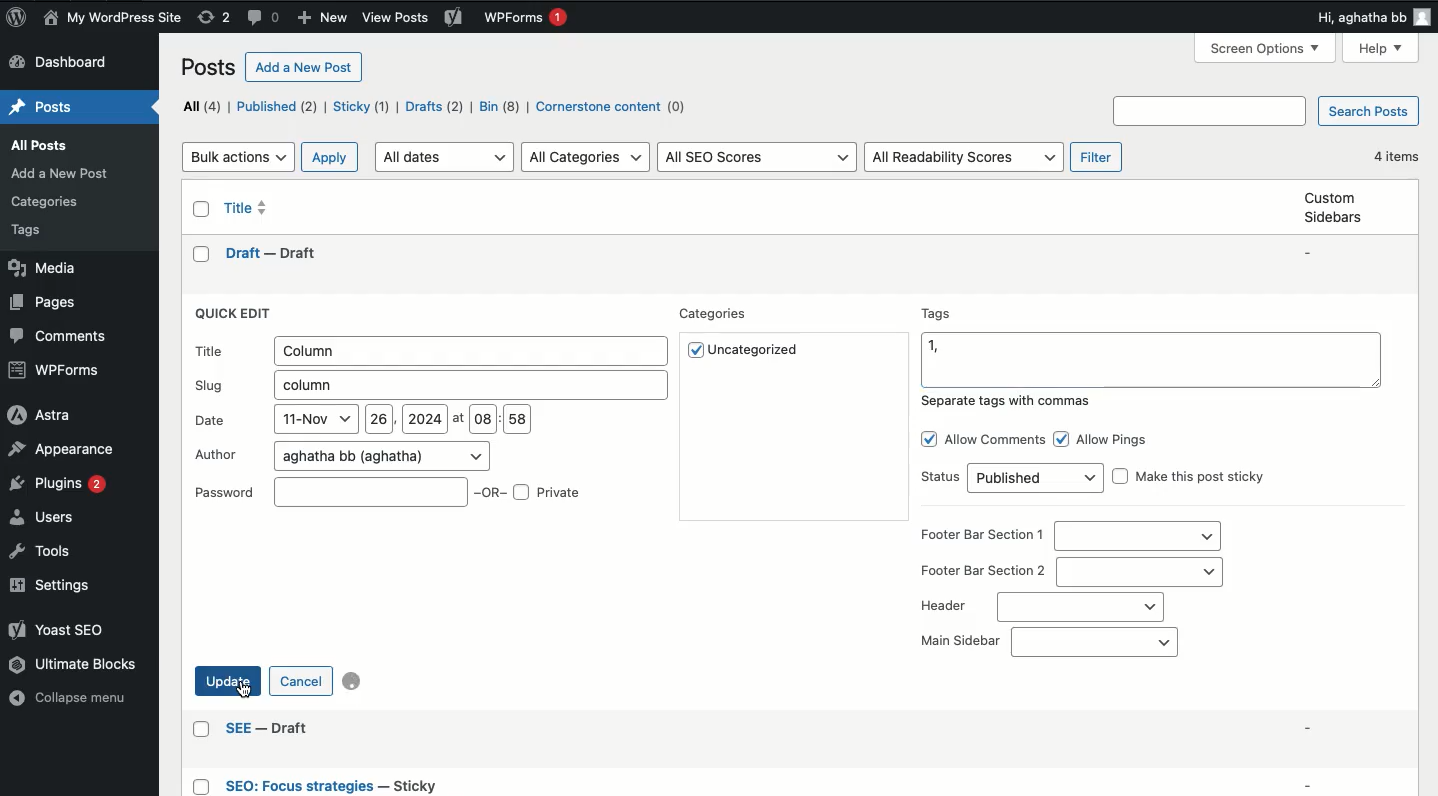 Image resolution: width=1438 pixels, height=796 pixels. Describe the element at coordinates (262, 785) in the screenshot. I see `` at that location.